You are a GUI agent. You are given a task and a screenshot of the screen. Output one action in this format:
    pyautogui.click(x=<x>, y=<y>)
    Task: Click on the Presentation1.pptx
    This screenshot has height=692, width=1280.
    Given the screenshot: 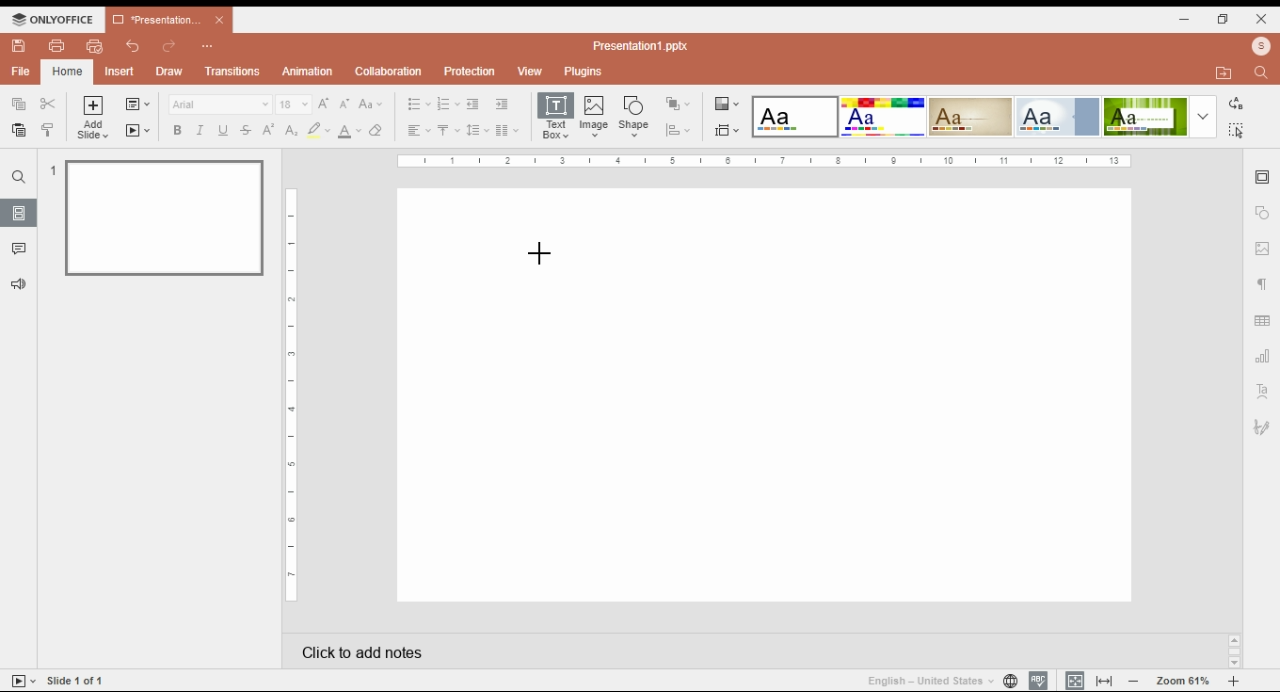 What is the action you would take?
    pyautogui.click(x=640, y=47)
    